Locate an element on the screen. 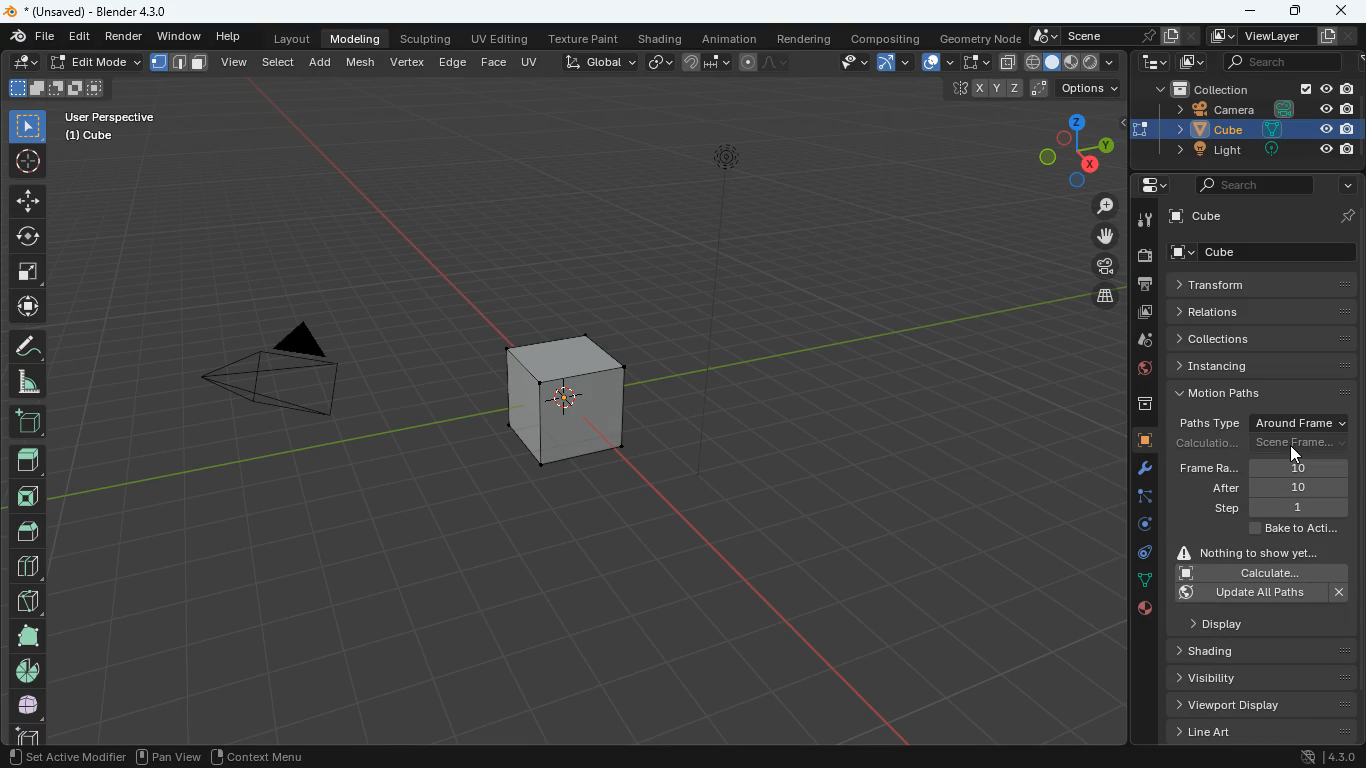  camera is located at coordinates (1256, 109).